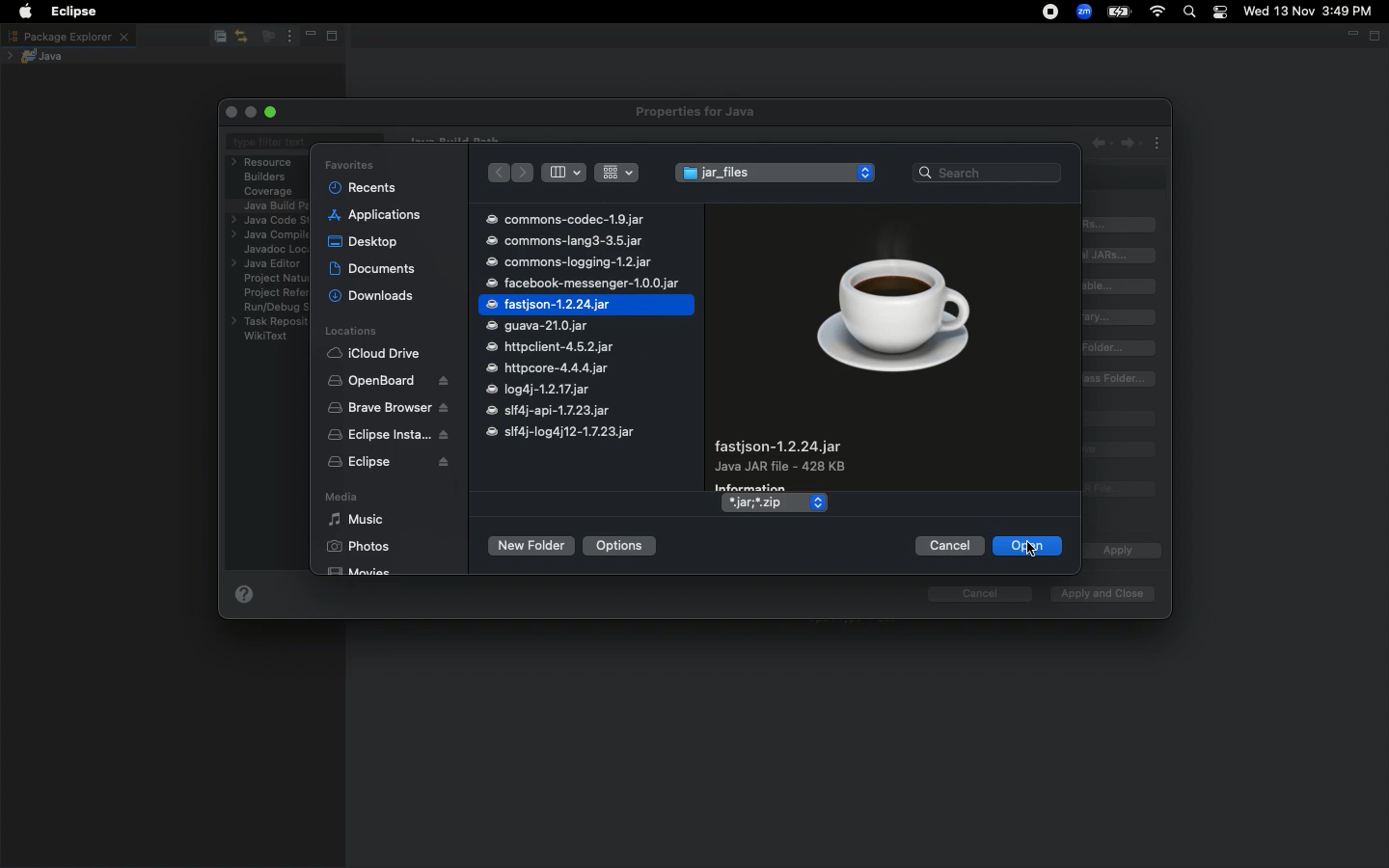 The image size is (1389, 868). I want to click on Internet, so click(1158, 13).